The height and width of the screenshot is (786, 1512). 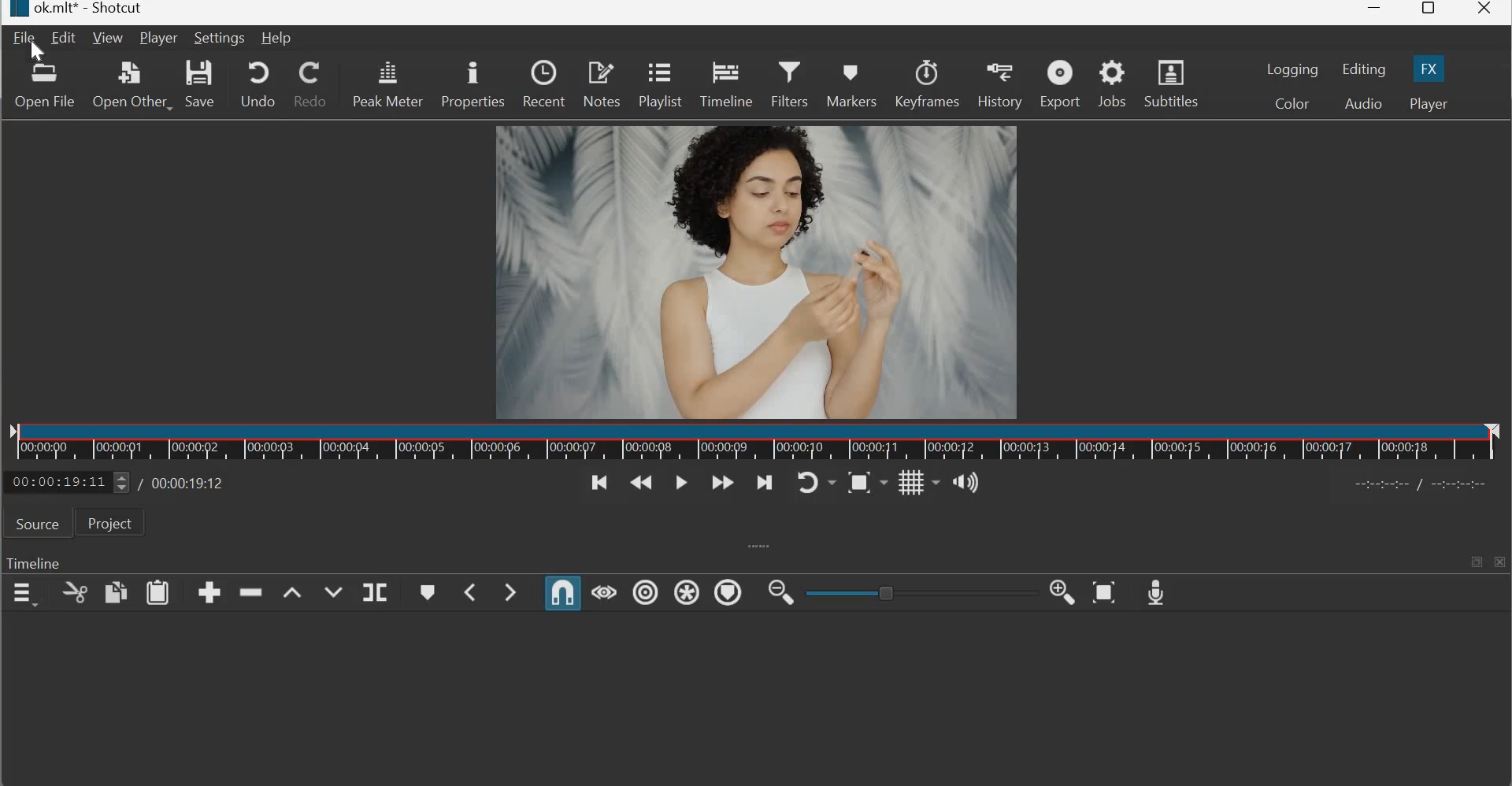 What do you see at coordinates (313, 83) in the screenshot?
I see `Redo` at bounding box center [313, 83].